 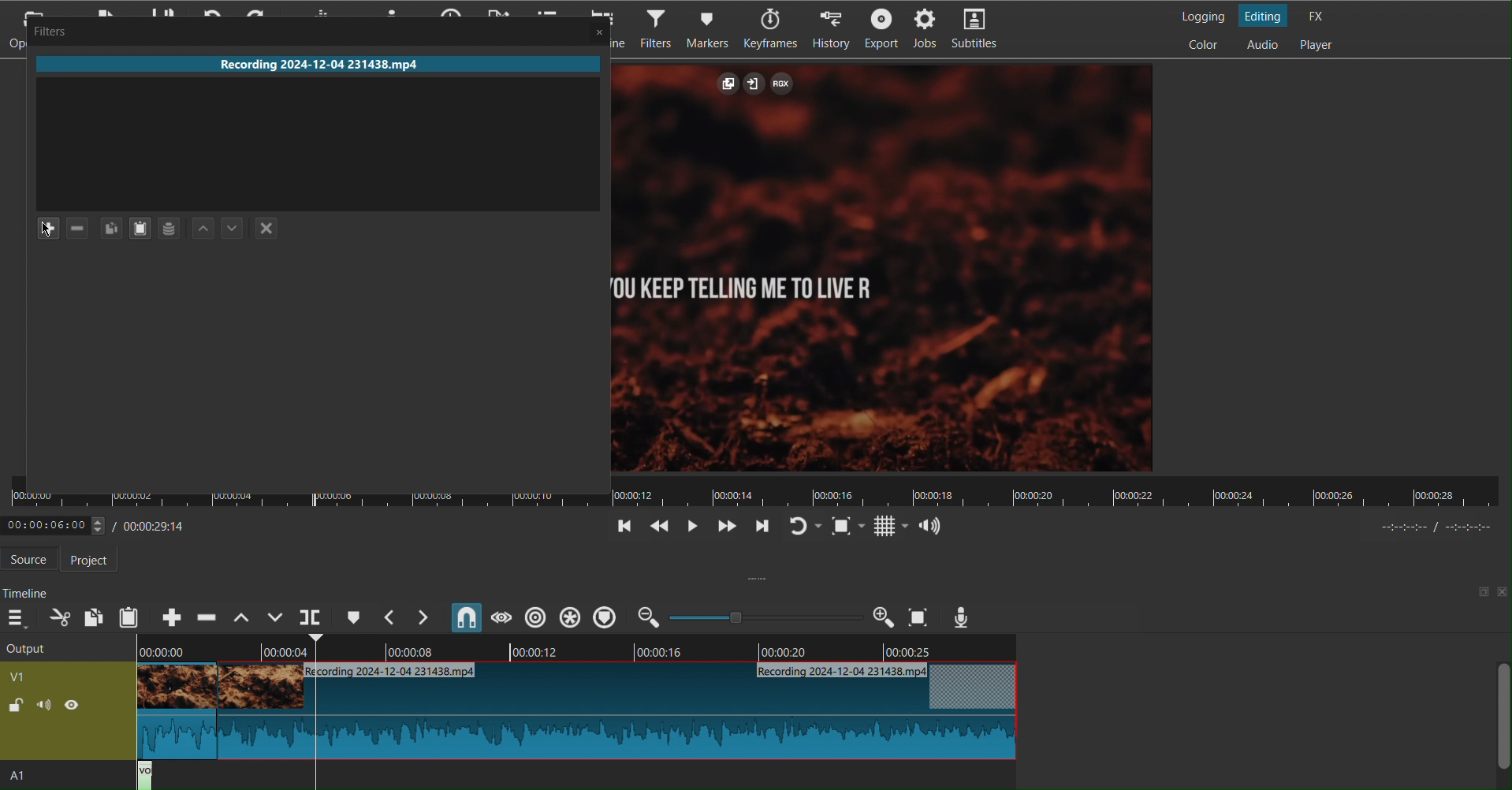 What do you see at coordinates (596, 30) in the screenshot?
I see `Close` at bounding box center [596, 30].